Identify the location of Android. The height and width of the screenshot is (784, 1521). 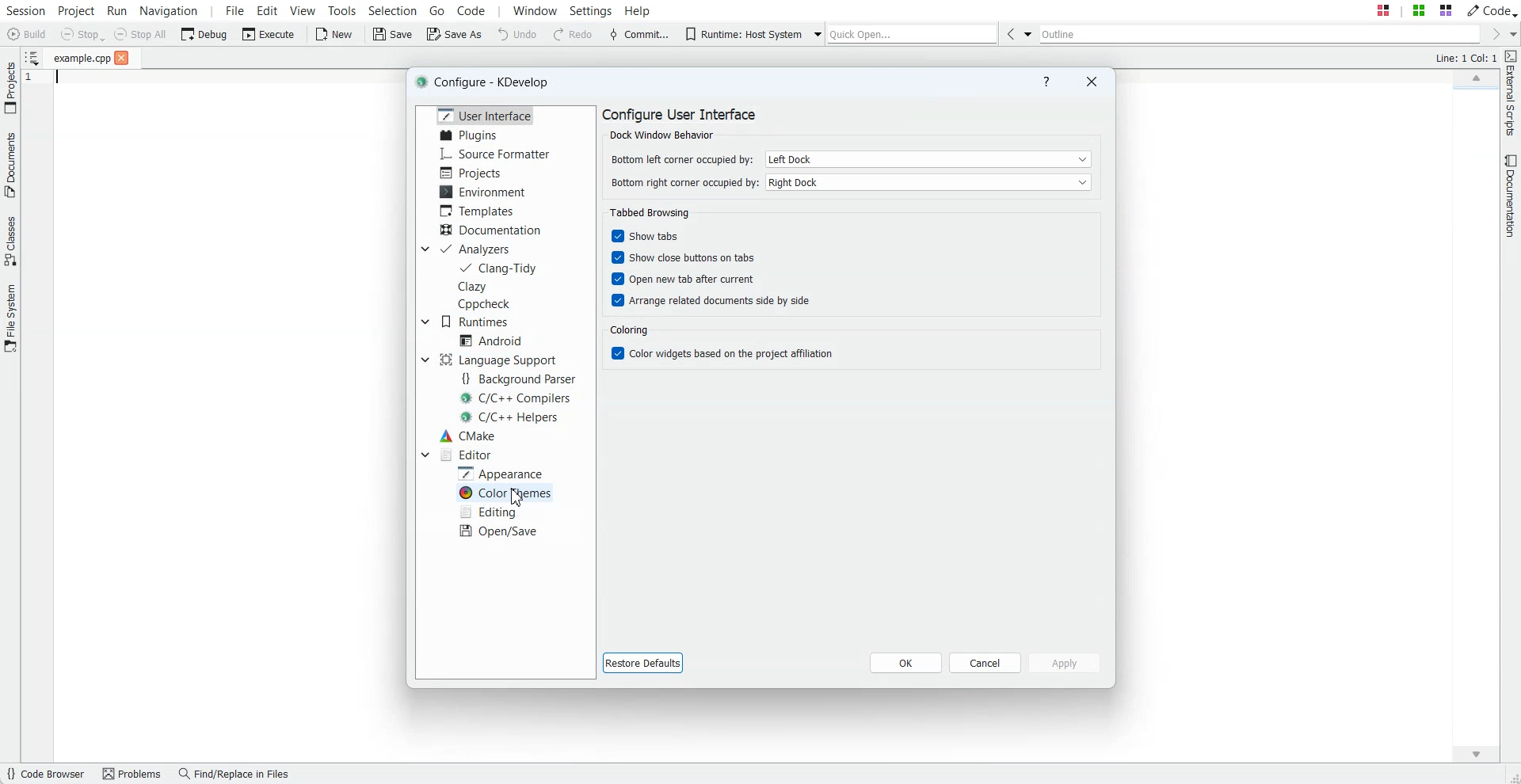
(491, 340).